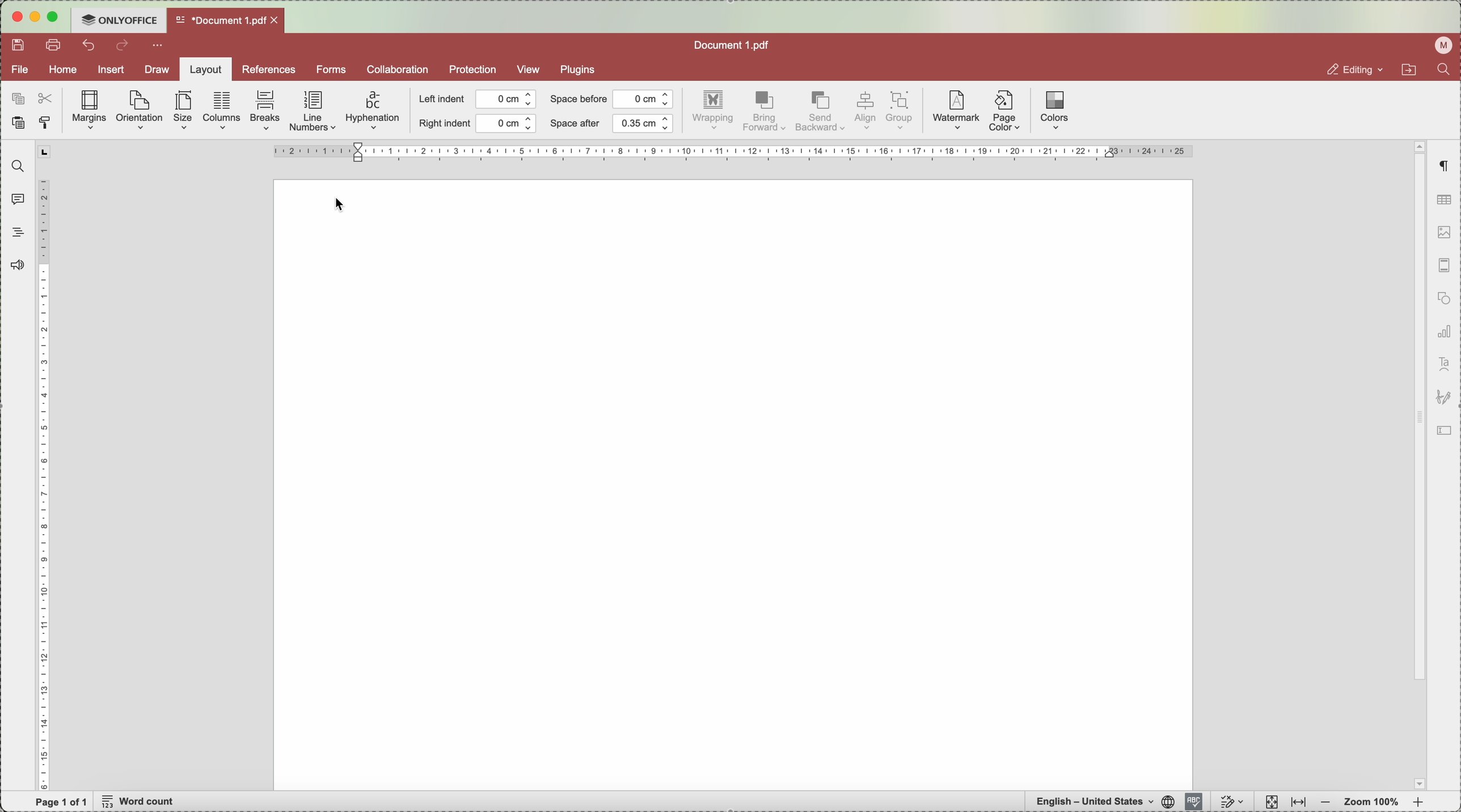 This screenshot has width=1461, height=812. I want to click on colors, so click(1054, 110).